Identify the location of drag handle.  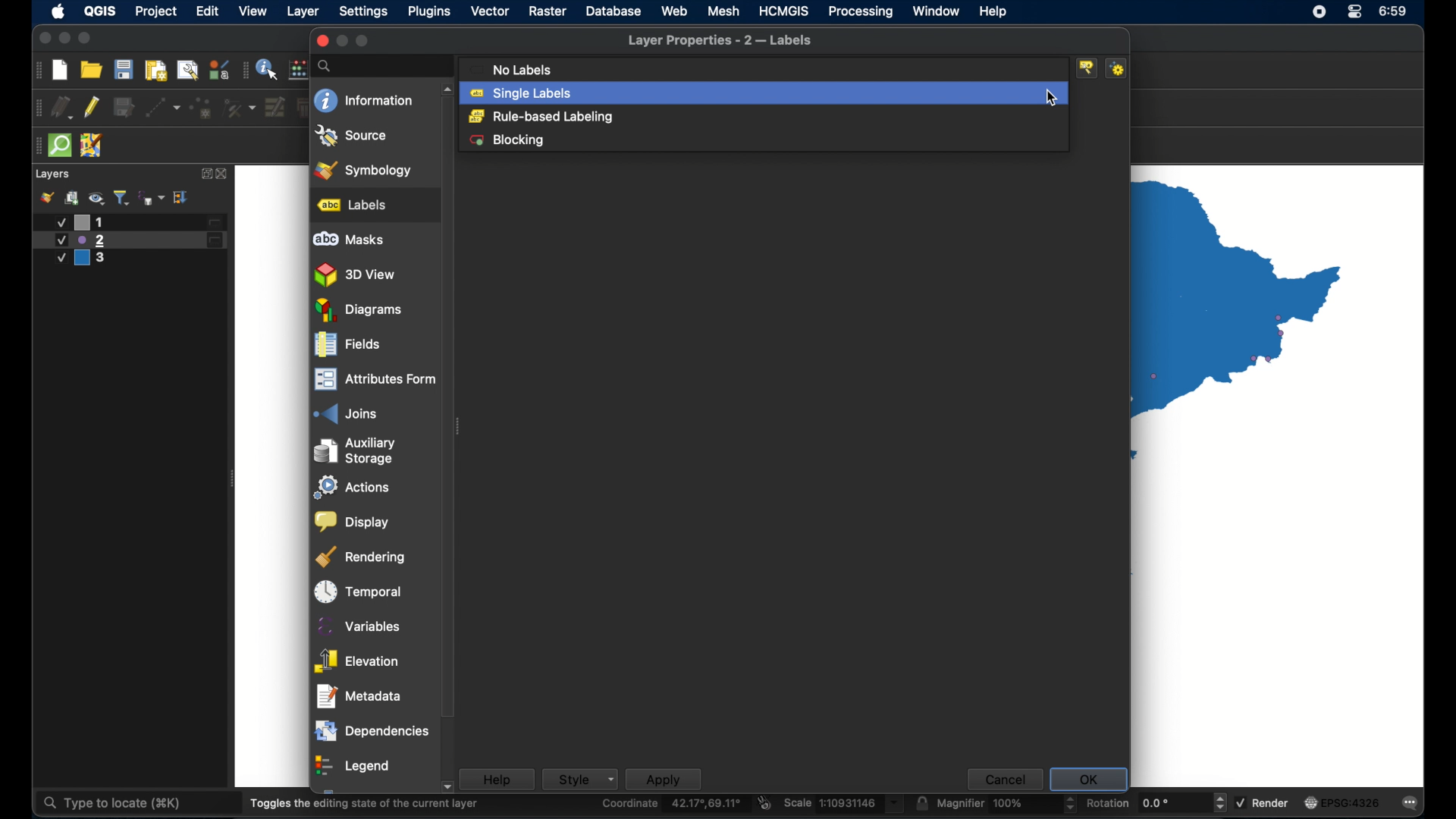
(36, 70).